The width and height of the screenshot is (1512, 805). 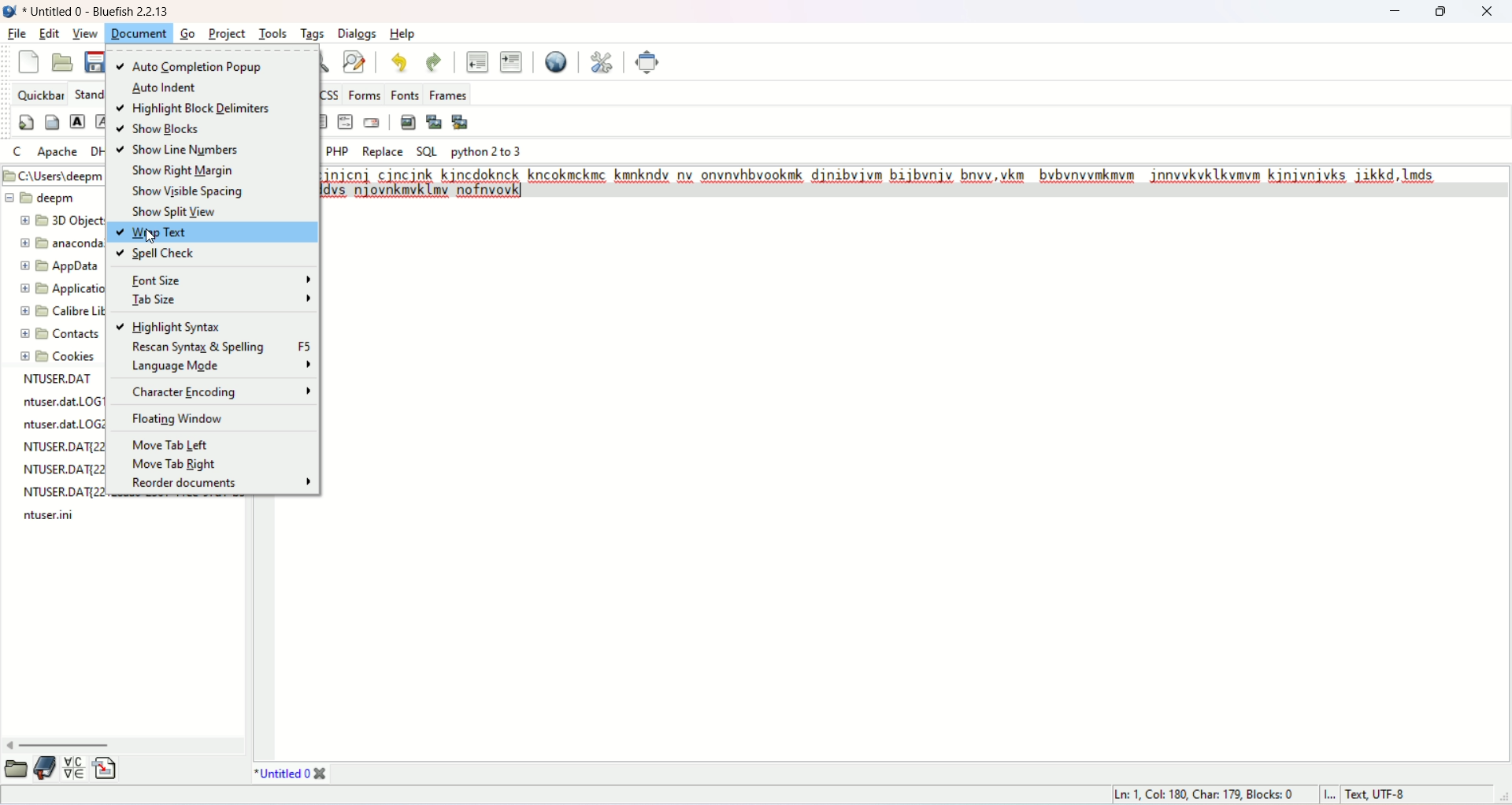 I want to click on rescan syntax and spelling, so click(x=218, y=345).